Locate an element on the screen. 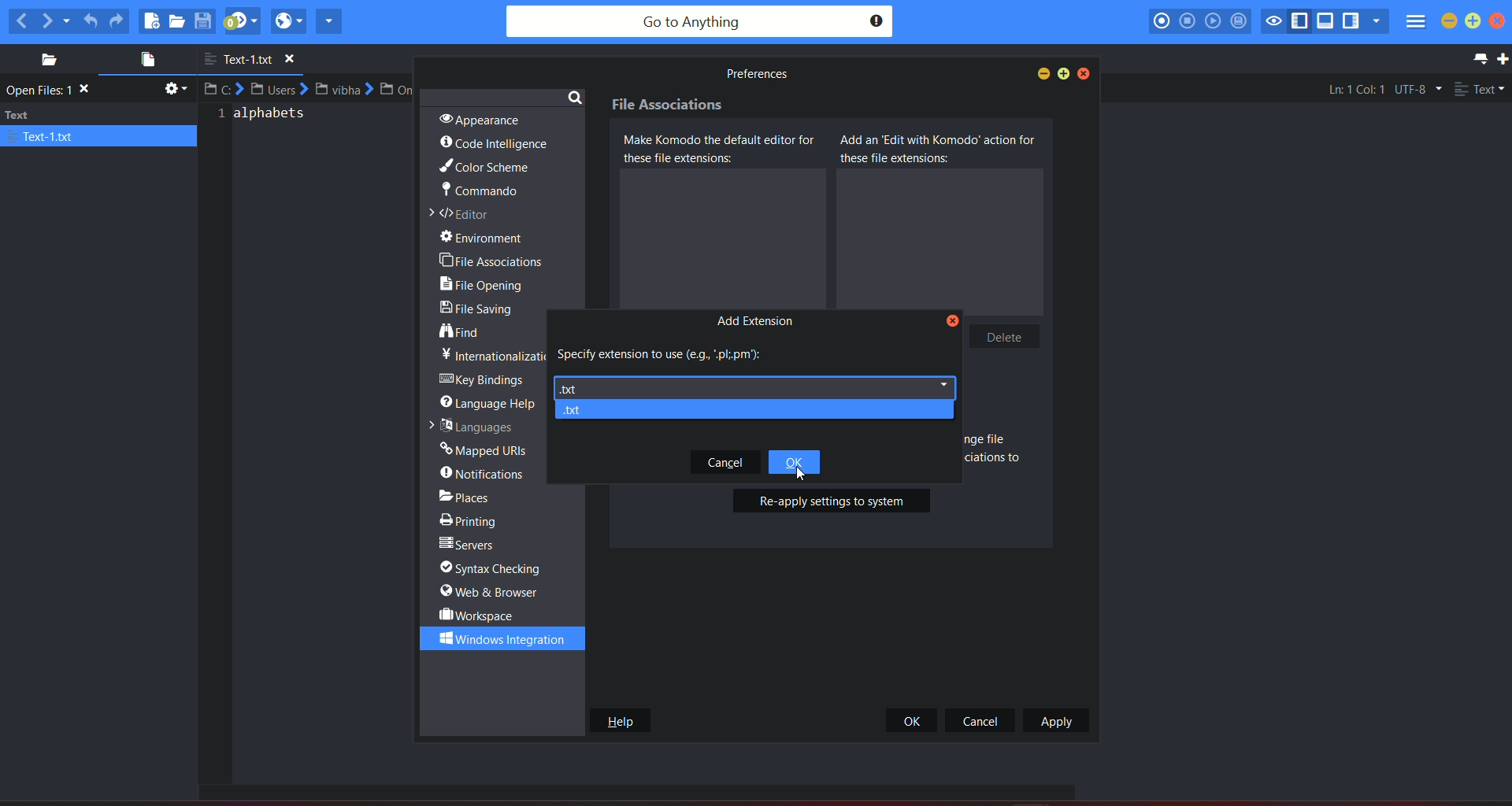 The height and width of the screenshot is (806, 1512). language help is located at coordinates (493, 401).